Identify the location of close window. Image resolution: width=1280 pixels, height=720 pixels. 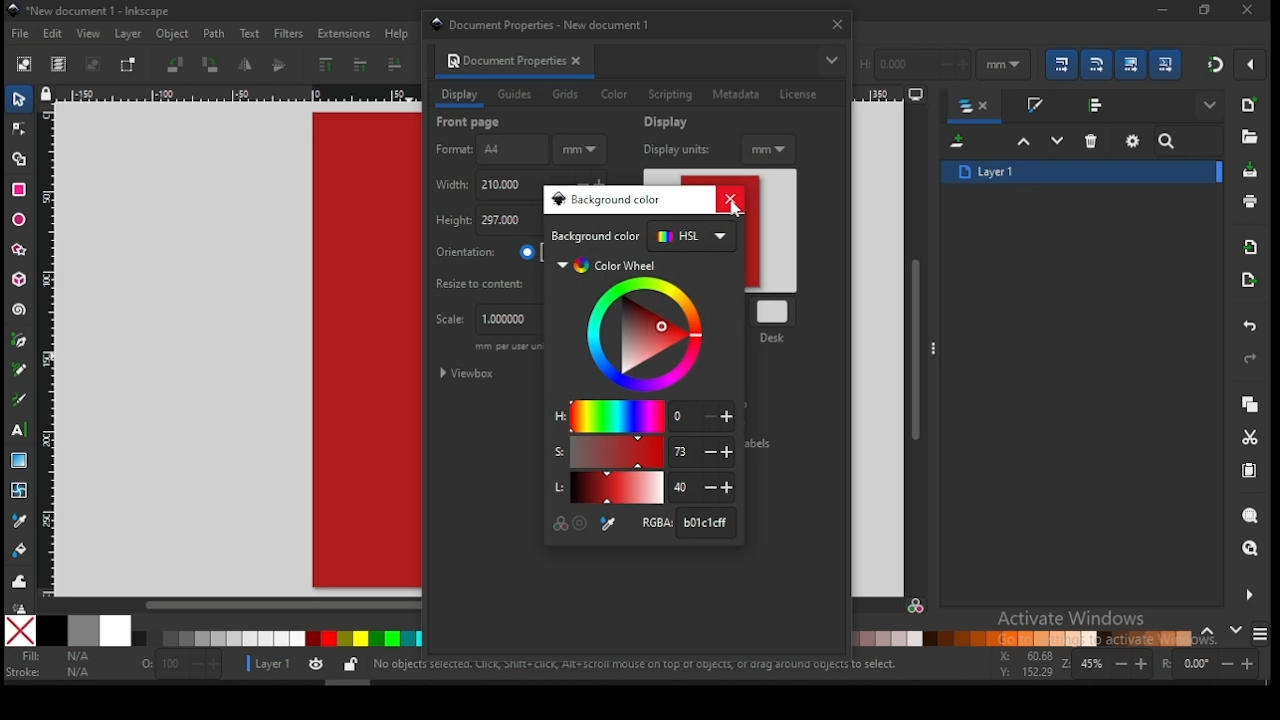
(836, 24).